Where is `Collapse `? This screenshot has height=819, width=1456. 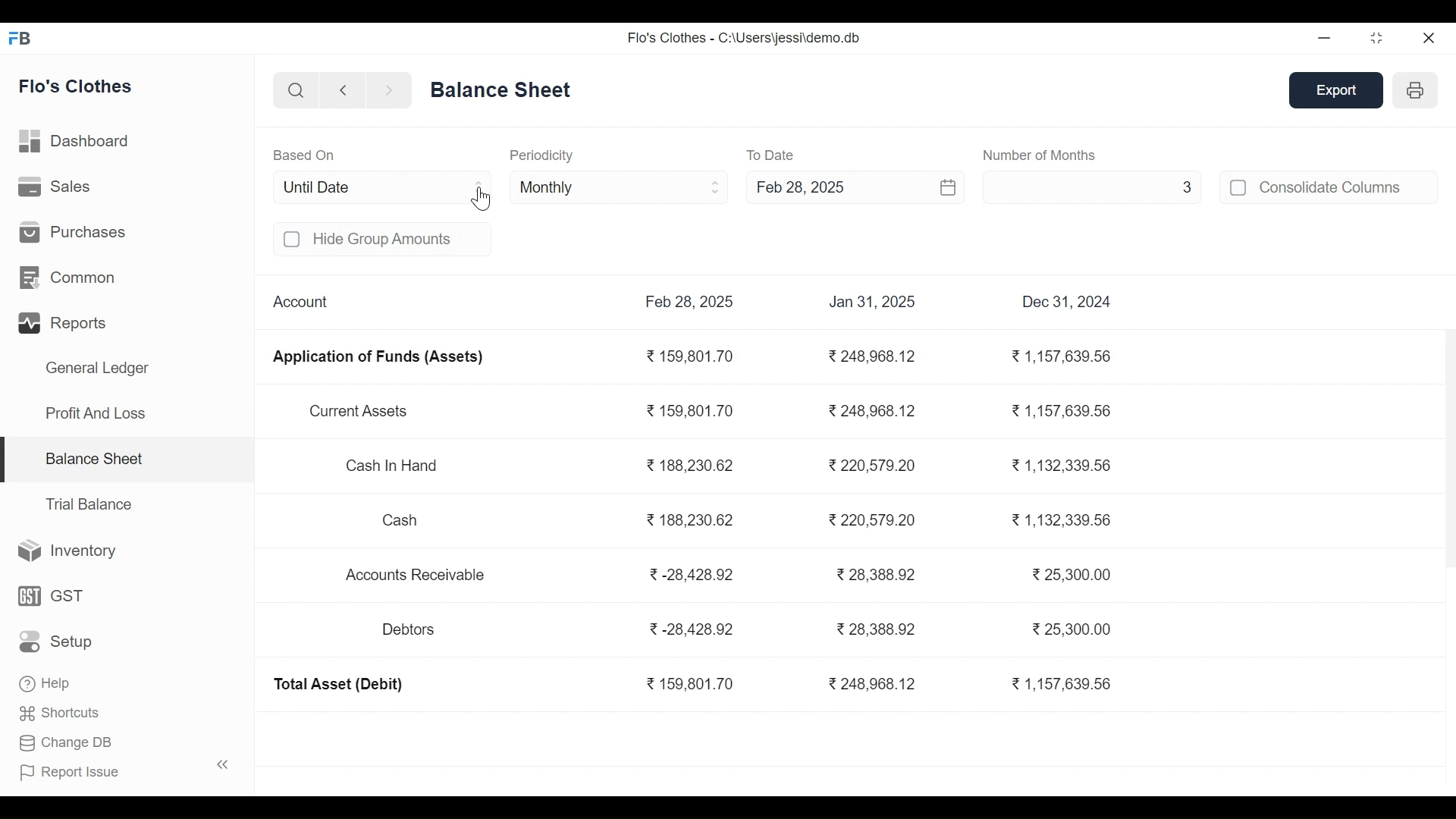 Collapse  is located at coordinates (223, 764).